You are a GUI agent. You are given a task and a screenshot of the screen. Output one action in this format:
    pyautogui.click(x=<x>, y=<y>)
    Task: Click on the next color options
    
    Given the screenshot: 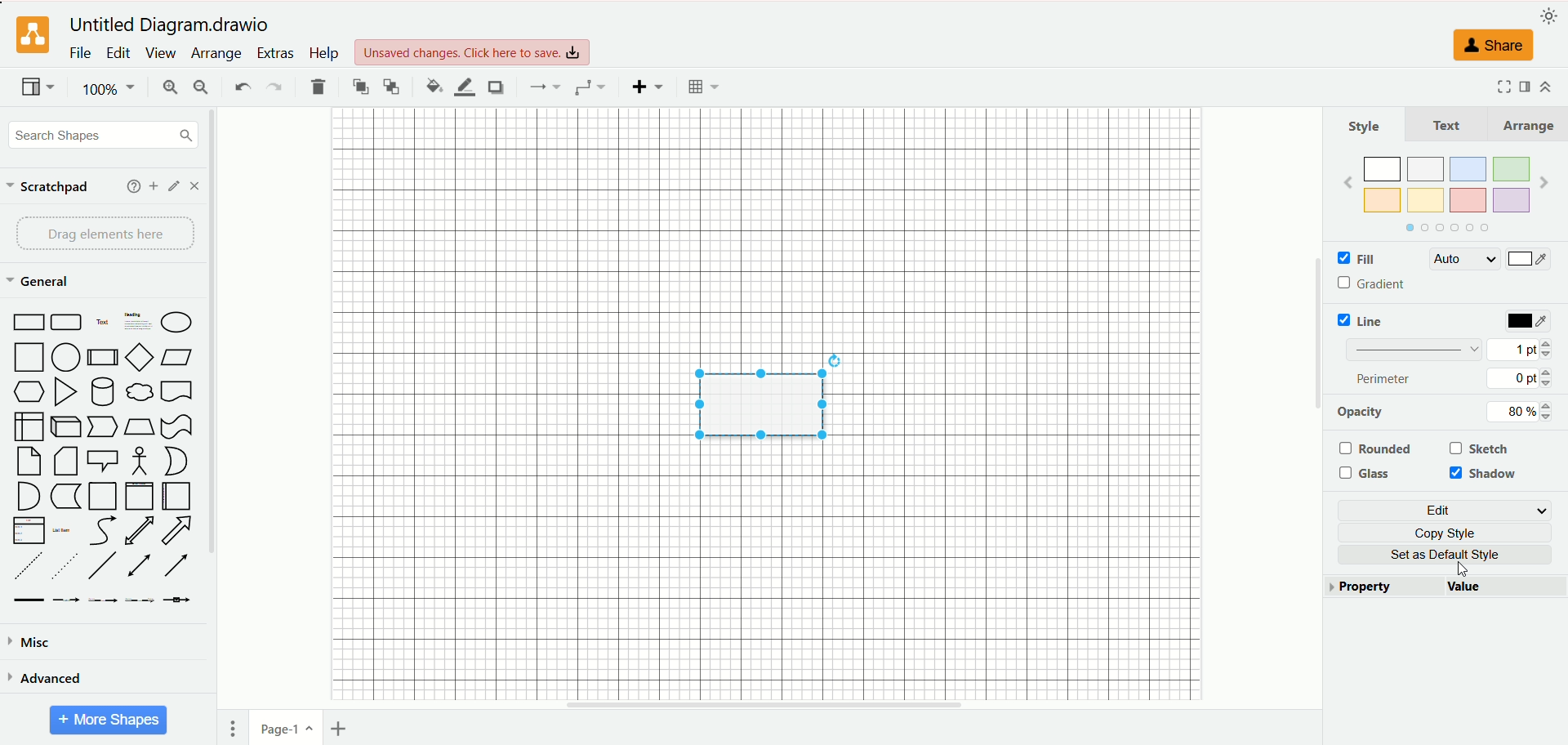 What is the action you would take?
    pyautogui.click(x=1544, y=185)
    